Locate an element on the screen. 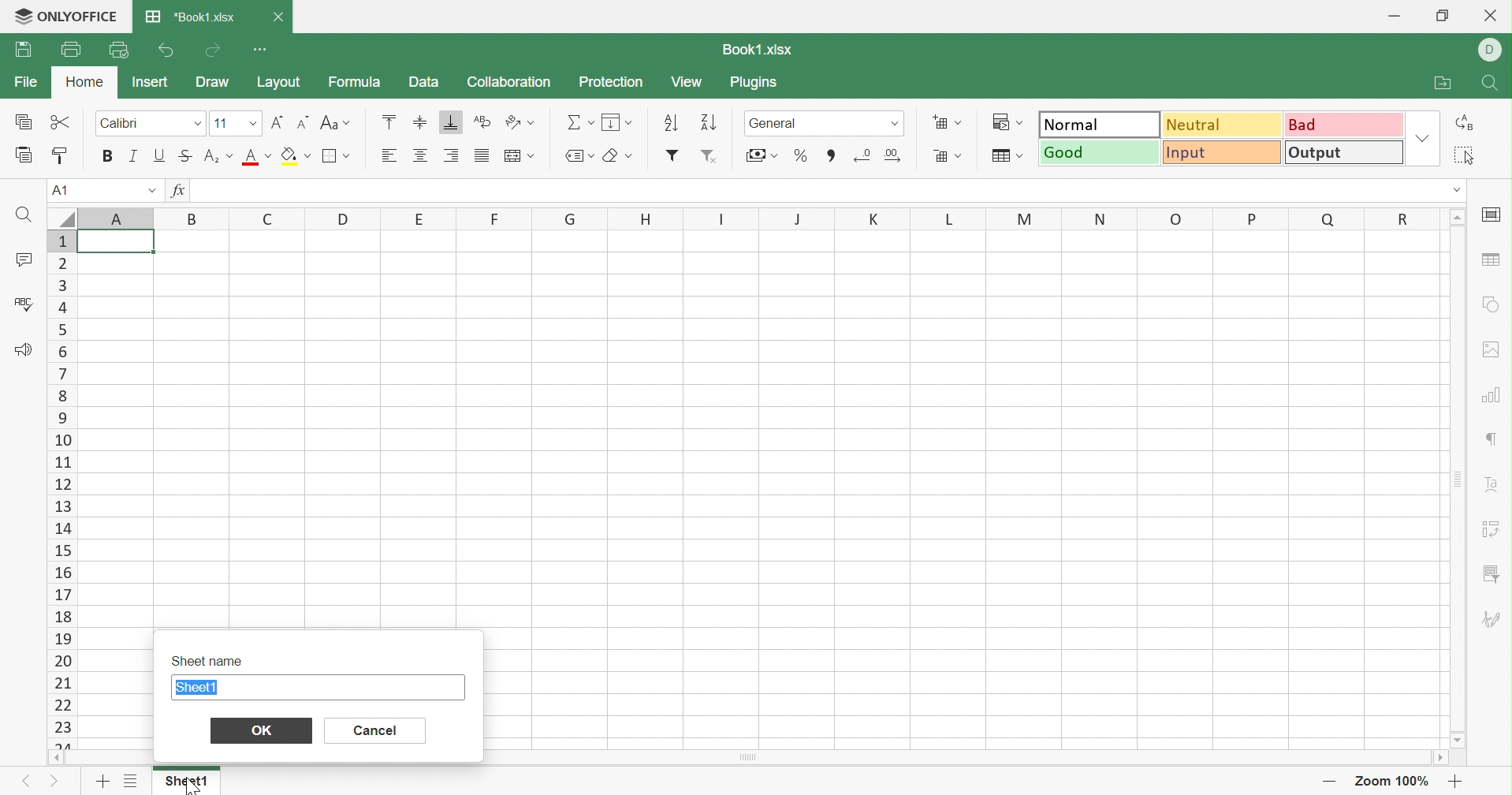 The height and width of the screenshot is (795, 1512). Filter menu is located at coordinates (1492, 575).